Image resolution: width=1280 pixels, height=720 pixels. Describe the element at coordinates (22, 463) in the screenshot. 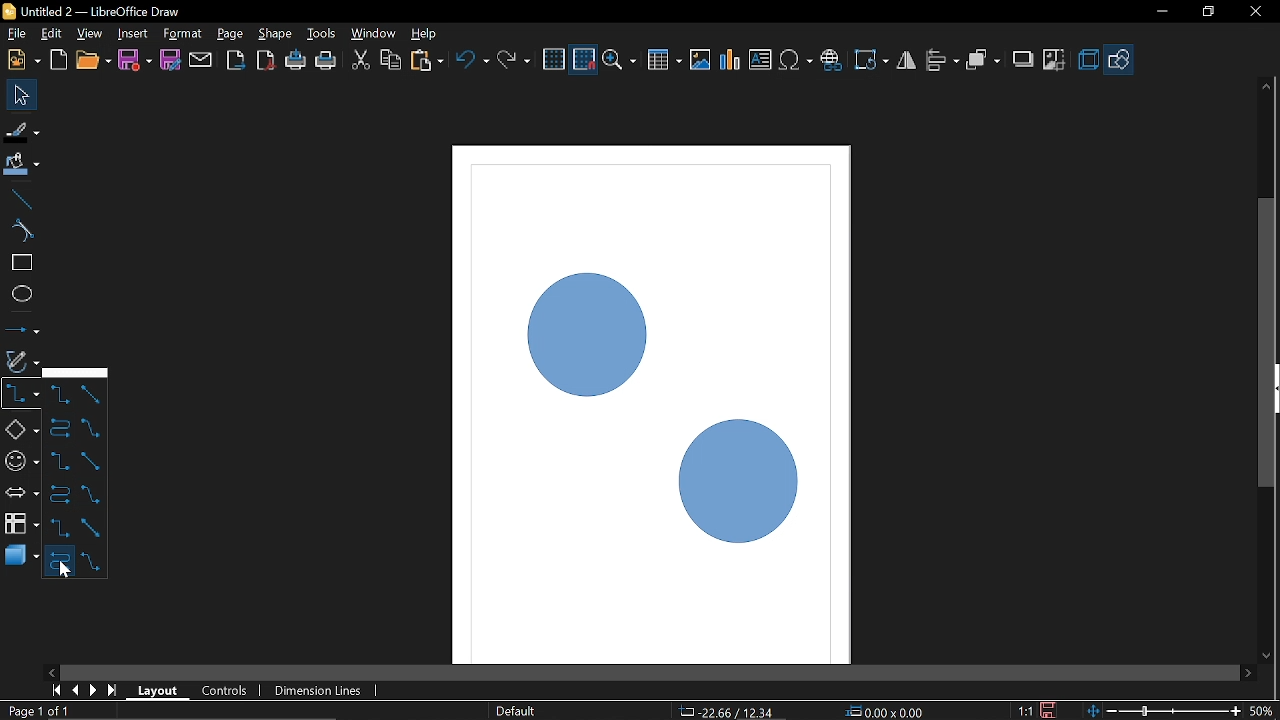

I see `Symbol shapes` at that location.